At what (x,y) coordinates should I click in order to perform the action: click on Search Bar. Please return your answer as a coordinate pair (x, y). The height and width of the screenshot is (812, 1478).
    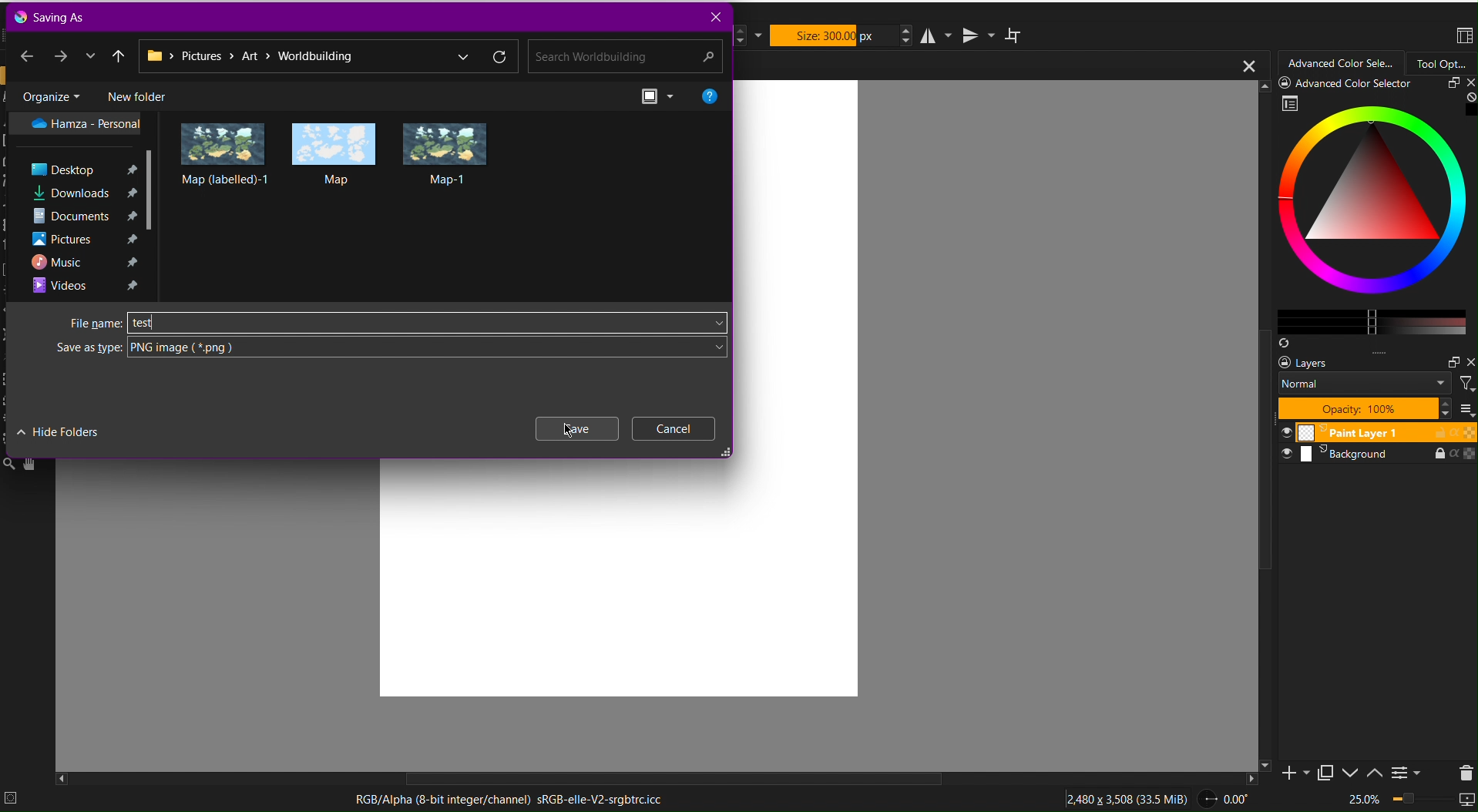
    Looking at the image, I should click on (622, 57).